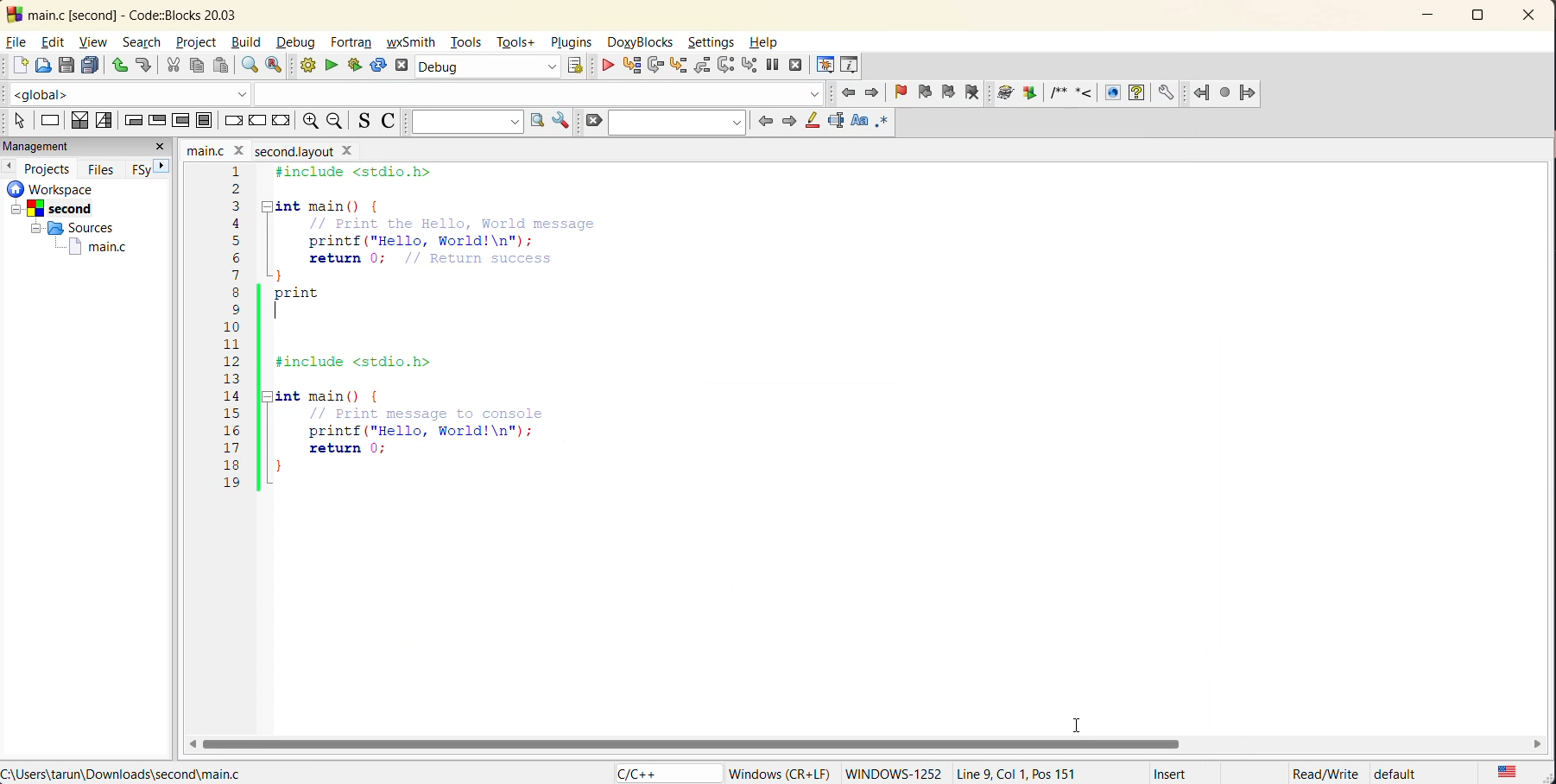 This screenshot has height=784, width=1556. I want to click on break instruction, so click(231, 121).